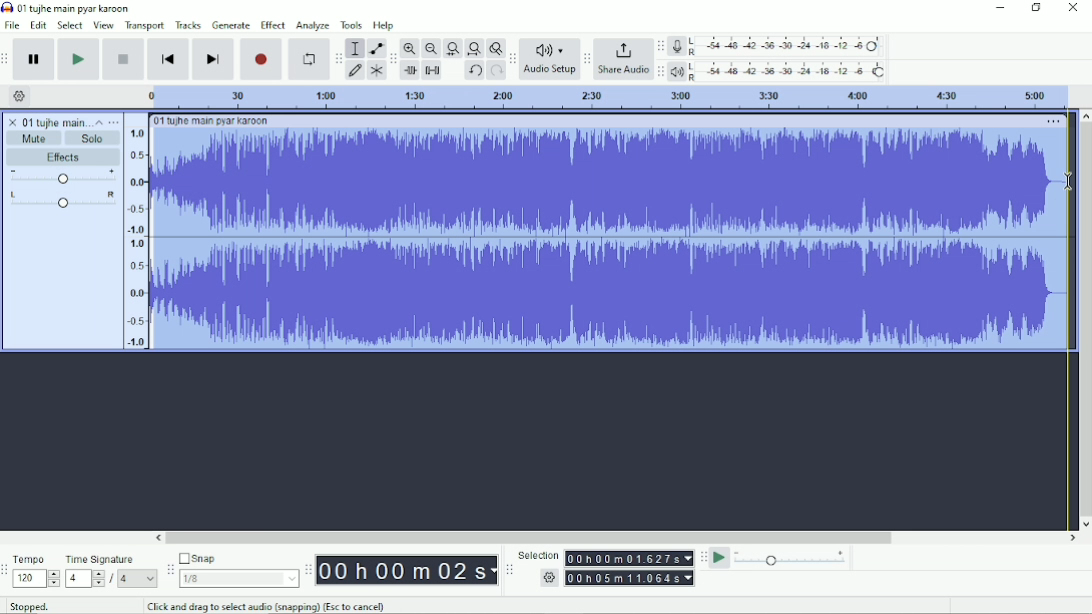 Image resolution: width=1092 pixels, height=614 pixels. I want to click on Vertical scrollbar, so click(1085, 319).